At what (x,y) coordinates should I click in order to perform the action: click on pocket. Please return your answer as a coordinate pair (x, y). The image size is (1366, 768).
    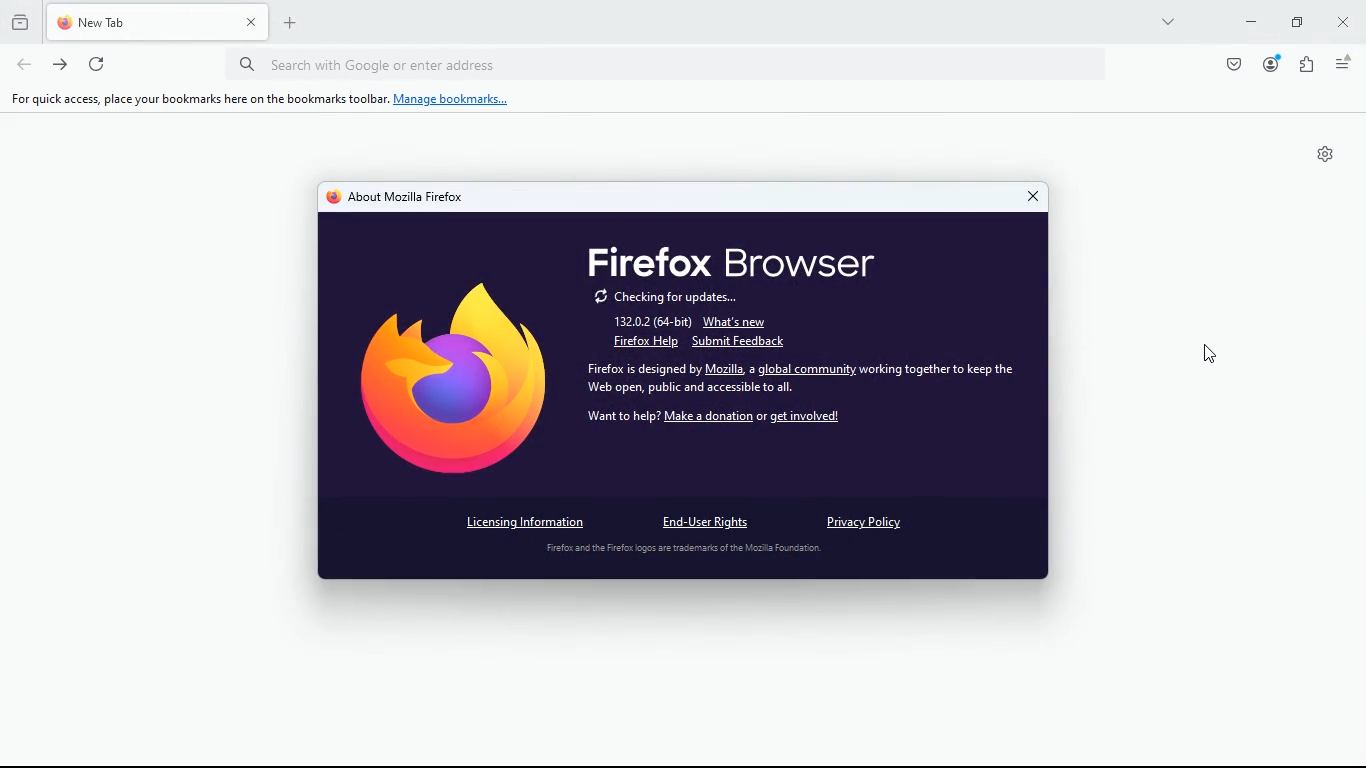
    Looking at the image, I should click on (1235, 64).